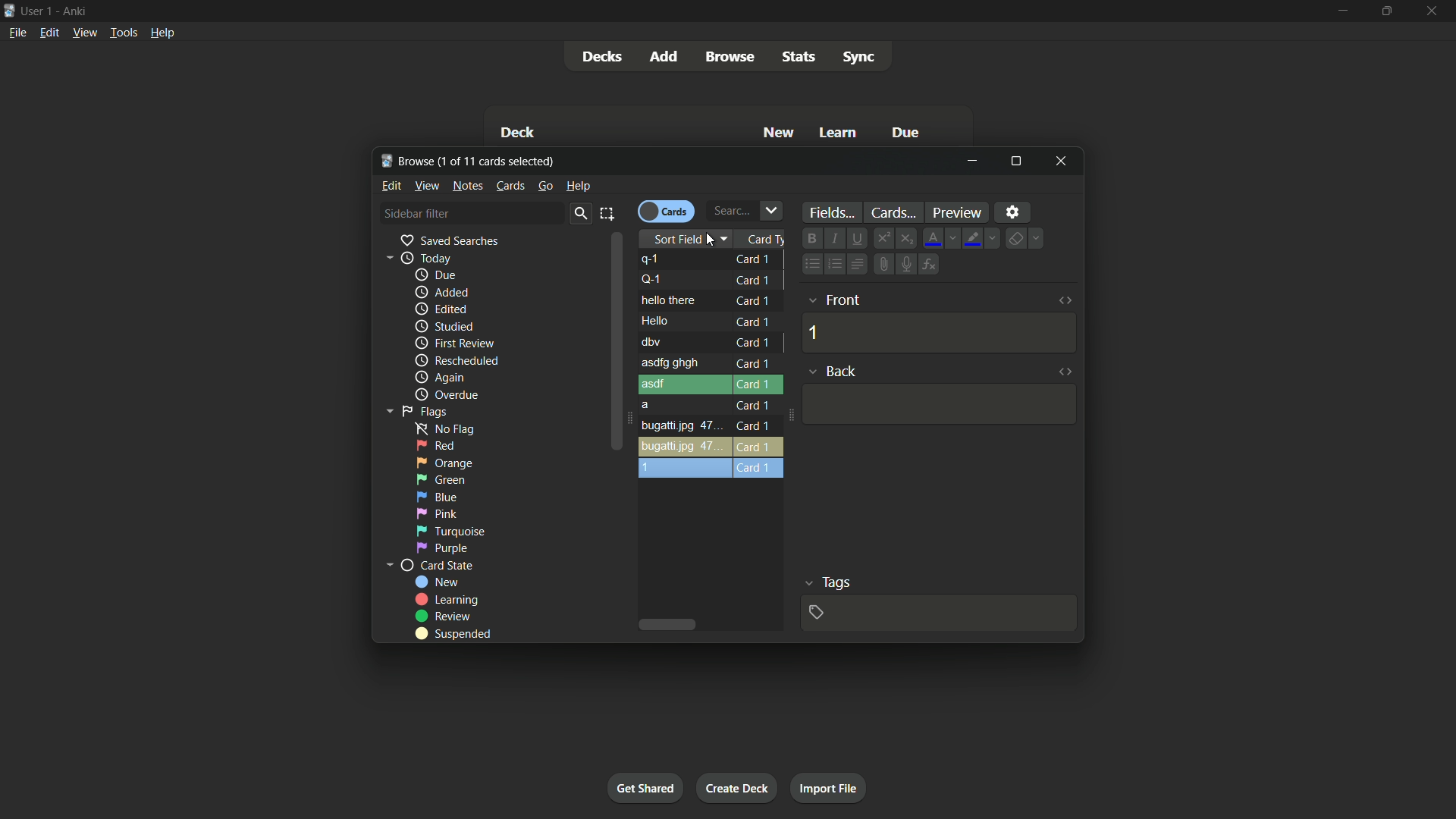 This screenshot has width=1456, height=819. Describe the element at coordinates (839, 132) in the screenshot. I see `learn` at that location.